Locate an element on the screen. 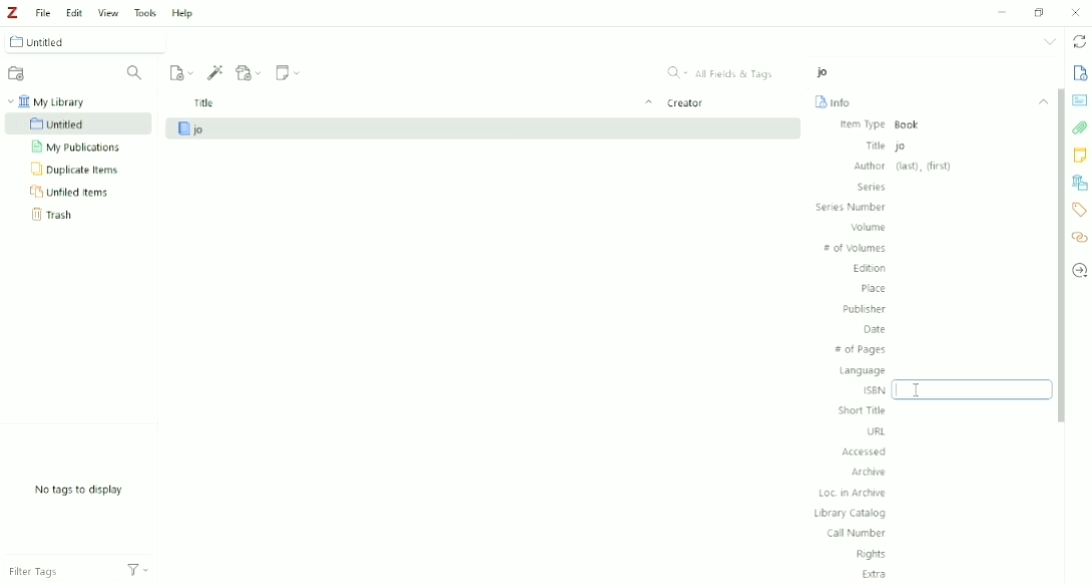 The height and width of the screenshot is (584, 1092). My Publications is located at coordinates (82, 147).